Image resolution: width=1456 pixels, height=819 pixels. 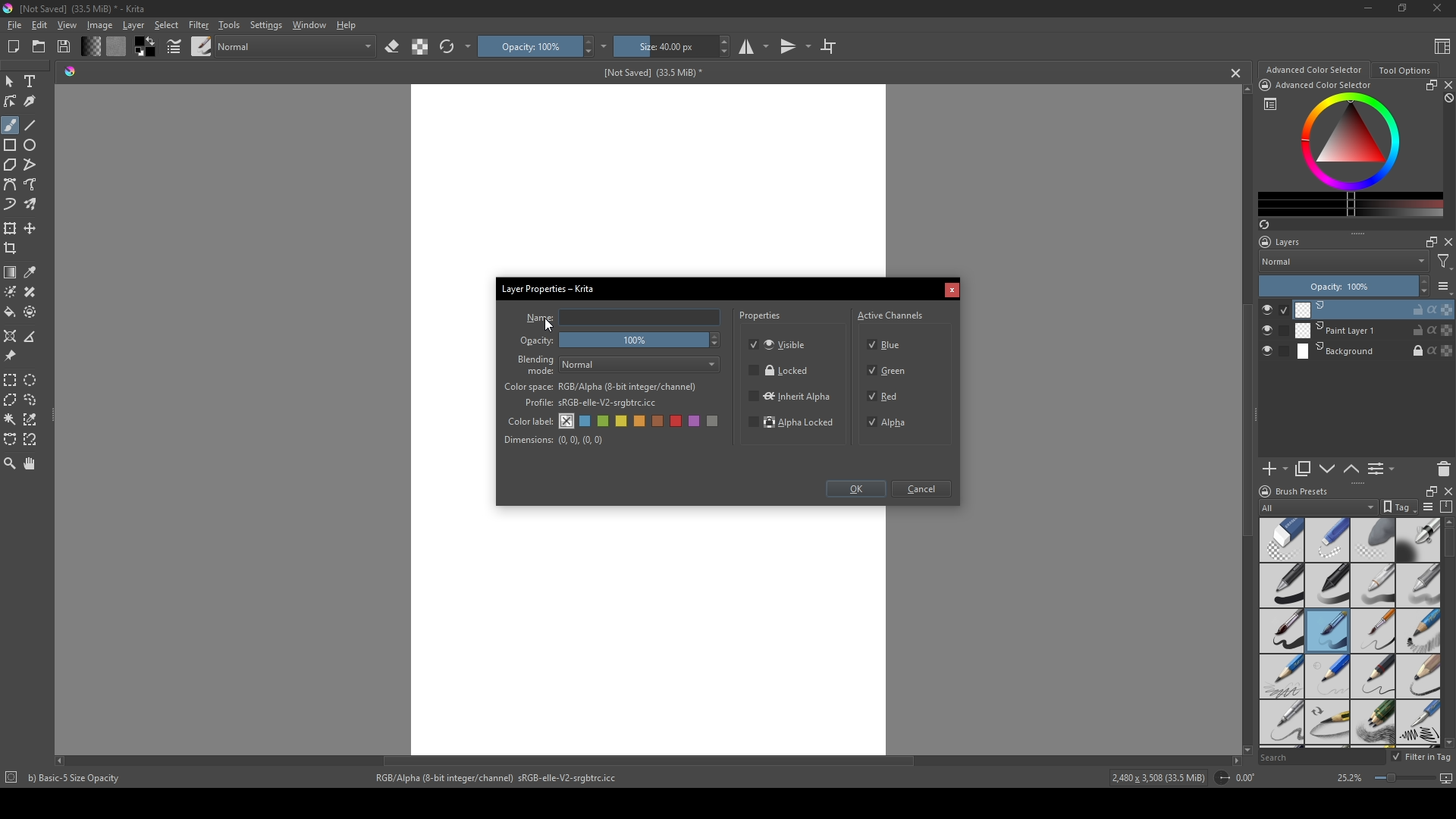 I want to click on Layer, so click(x=133, y=25).